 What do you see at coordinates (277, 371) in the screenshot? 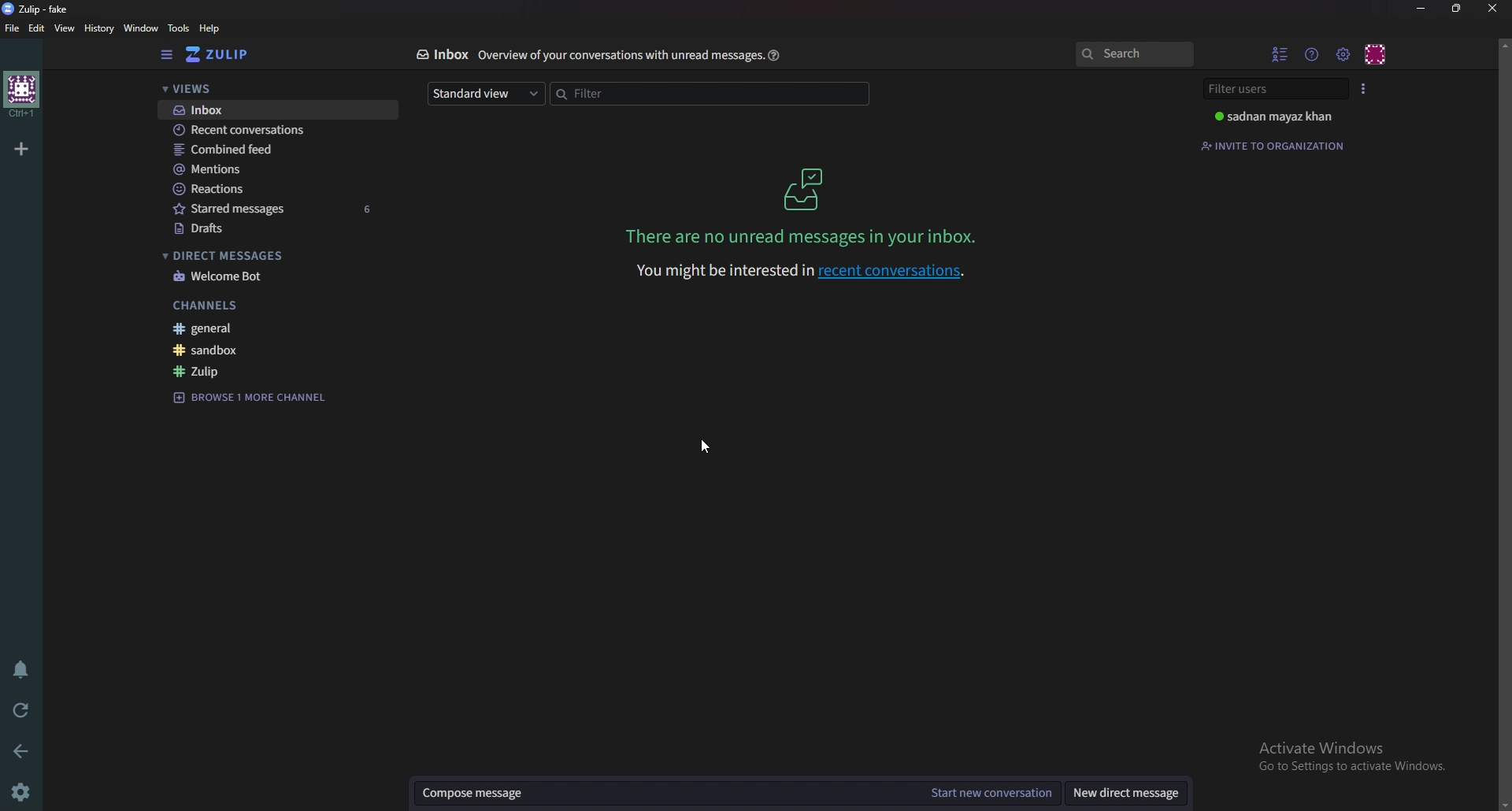
I see `zulip` at bounding box center [277, 371].